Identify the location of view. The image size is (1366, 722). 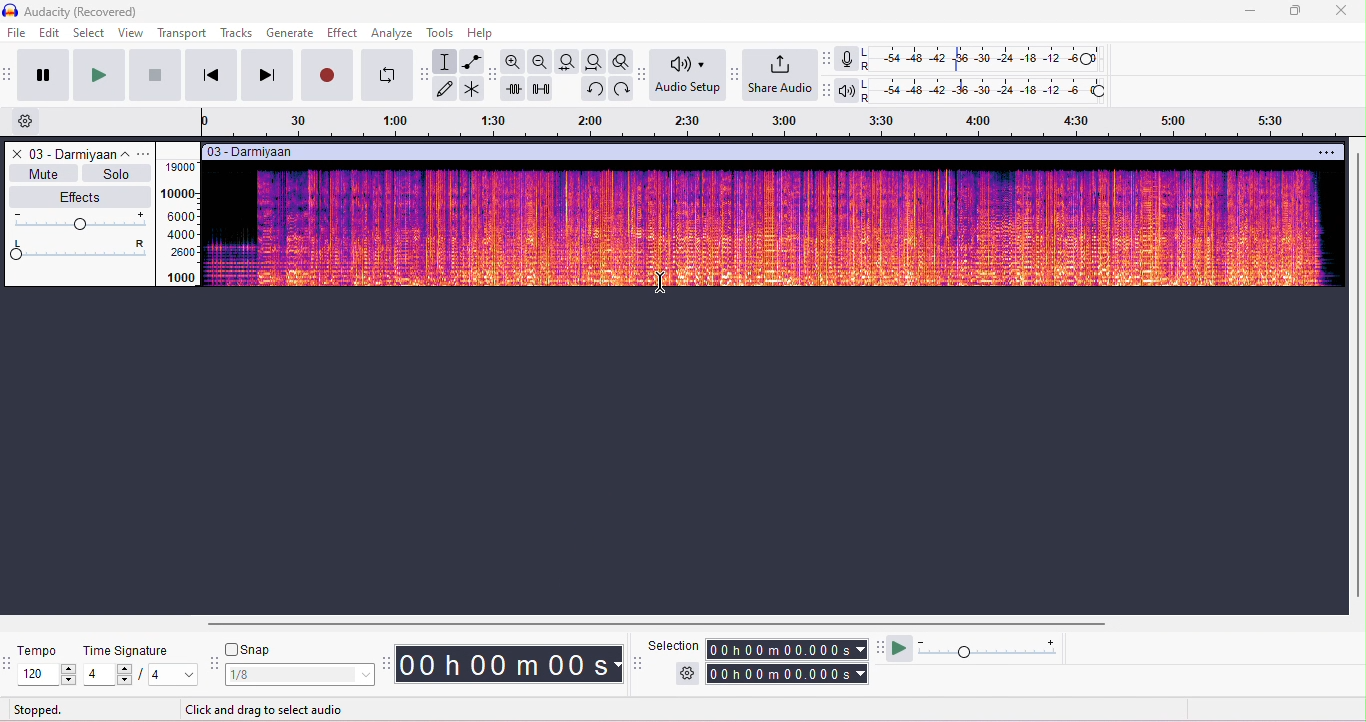
(131, 33).